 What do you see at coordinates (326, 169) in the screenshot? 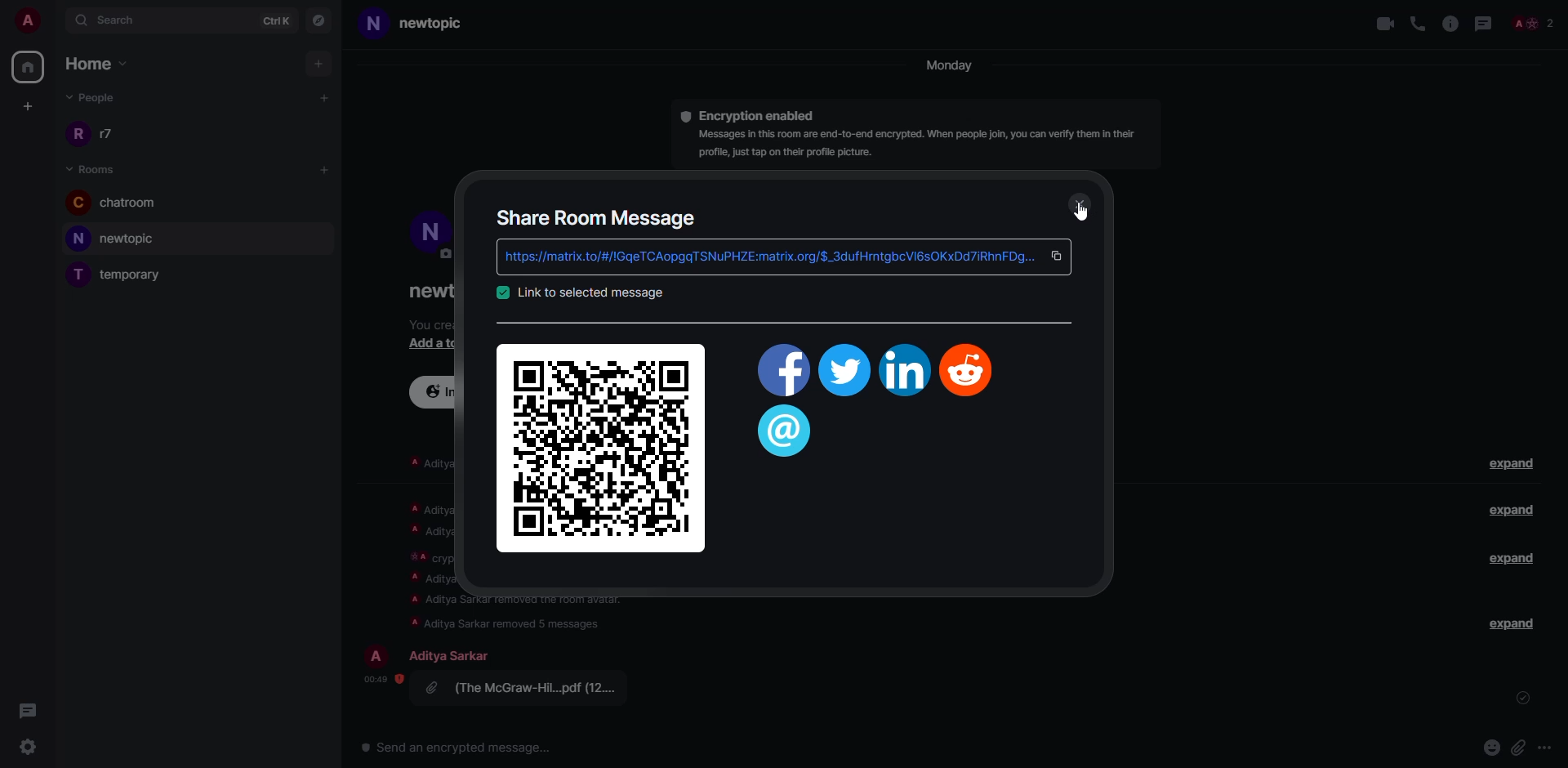
I see `add` at bounding box center [326, 169].